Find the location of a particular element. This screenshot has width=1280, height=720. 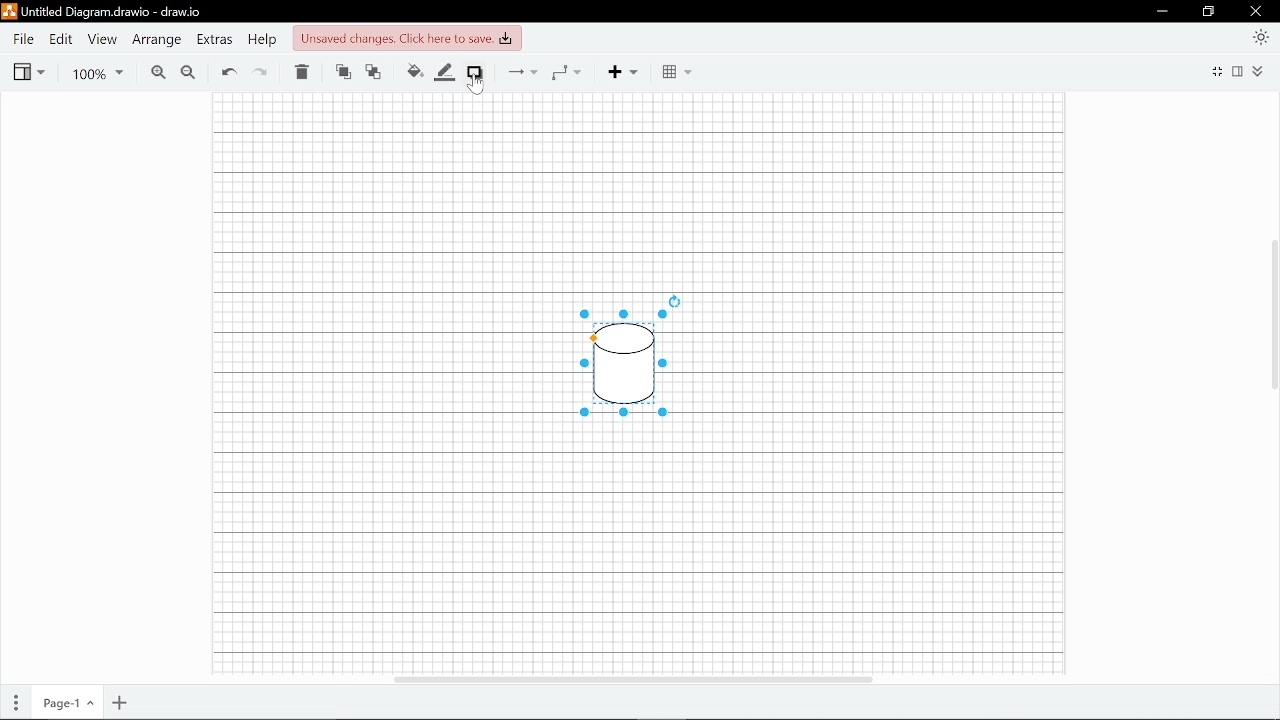

Minimize is located at coordinates (1163, 11).